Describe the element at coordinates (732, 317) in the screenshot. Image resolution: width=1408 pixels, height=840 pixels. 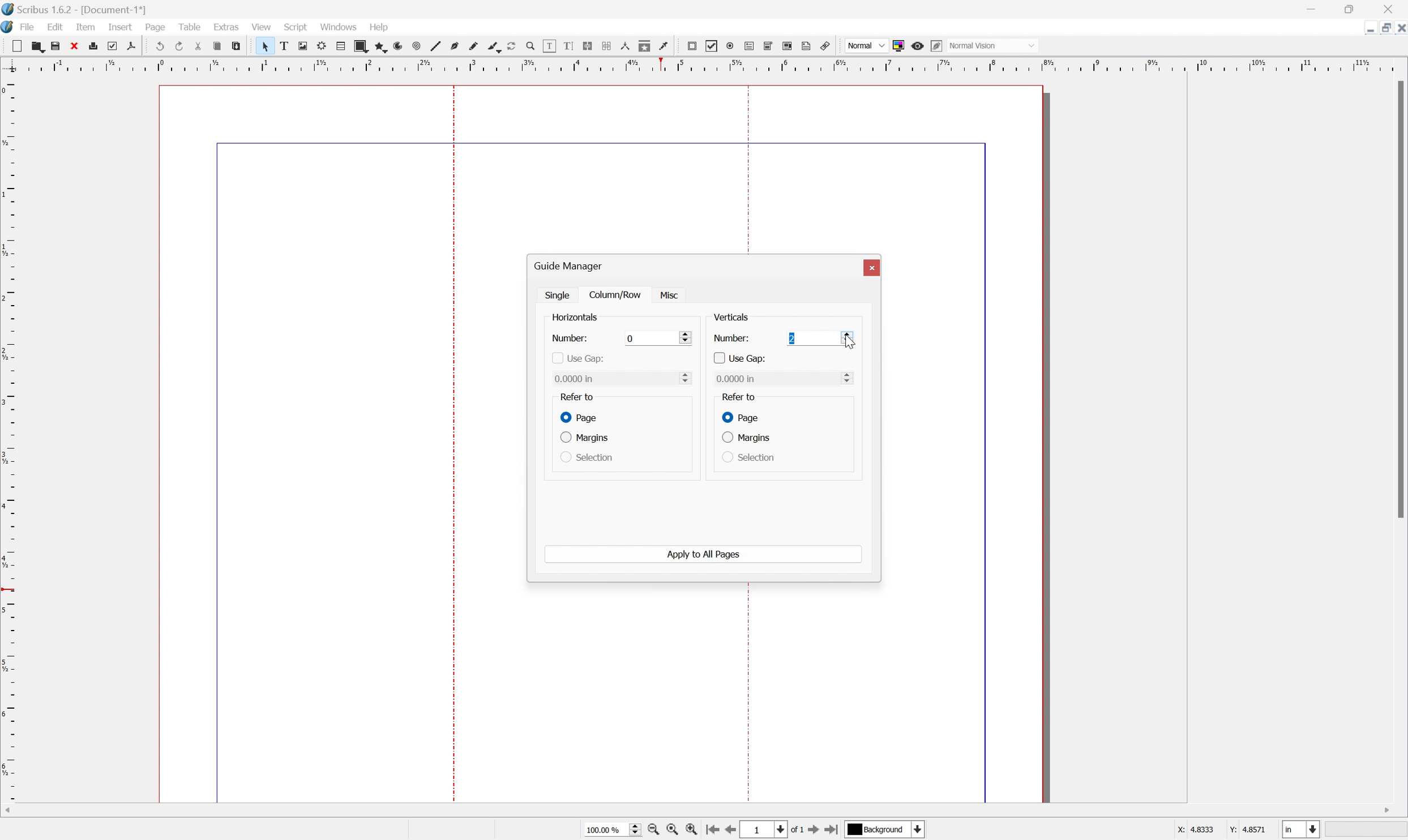
I see `verticals` at that location.